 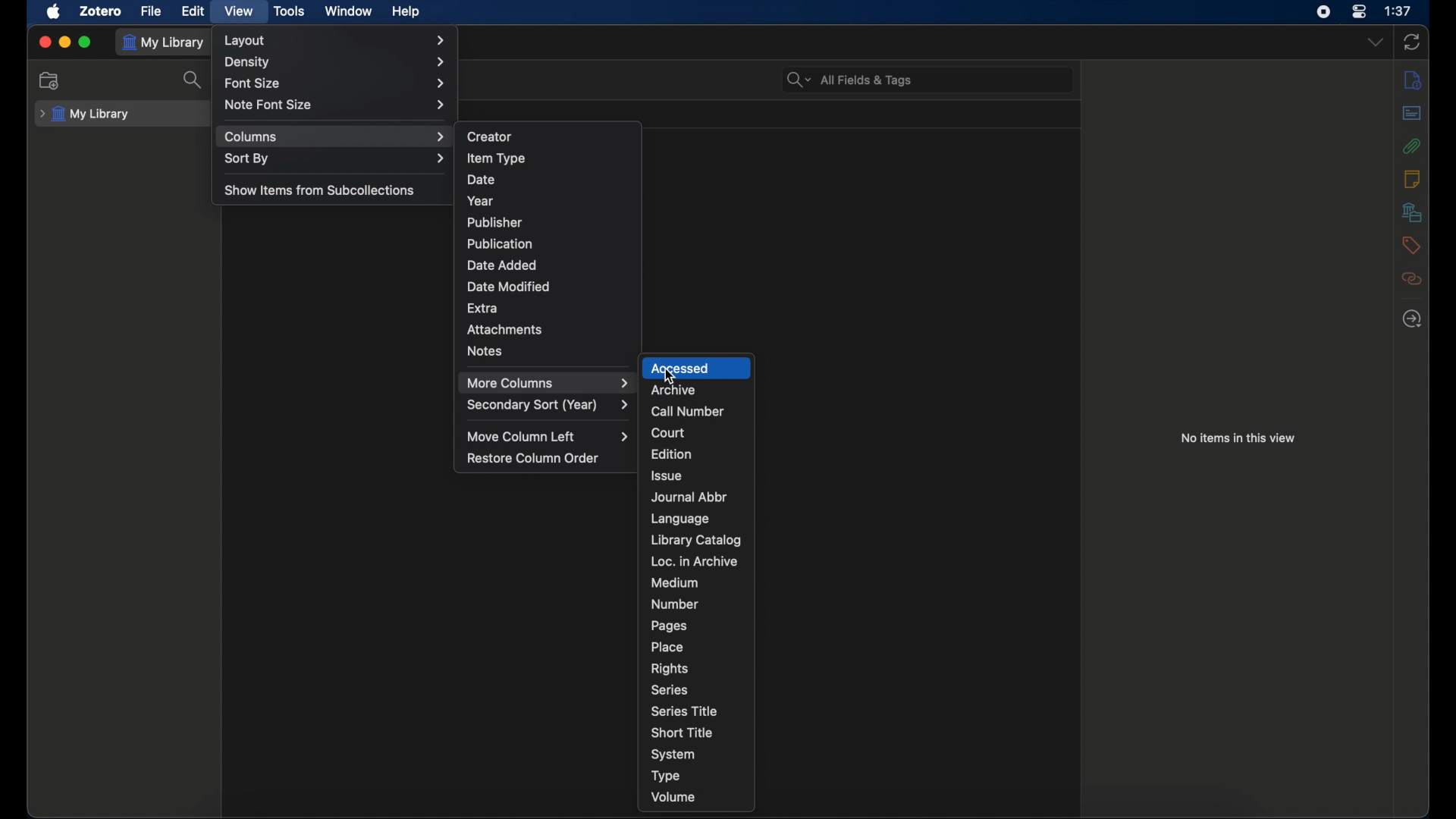 What do you see at coordinates (674, 603) in the screenshot?
I see `number` at bounding box center [674, 603].